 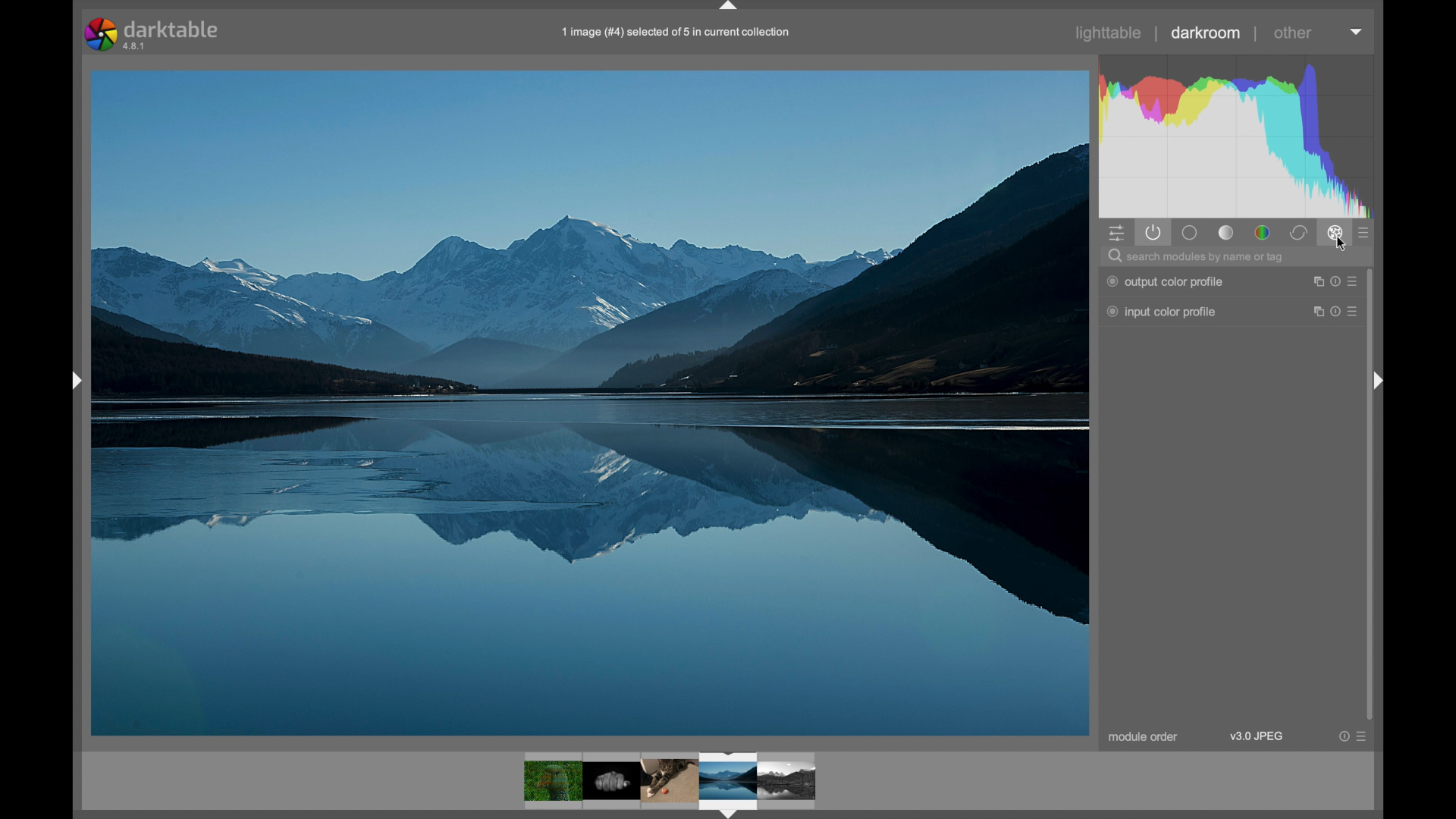 I want to click on more options, so click(x=1354, y=281).